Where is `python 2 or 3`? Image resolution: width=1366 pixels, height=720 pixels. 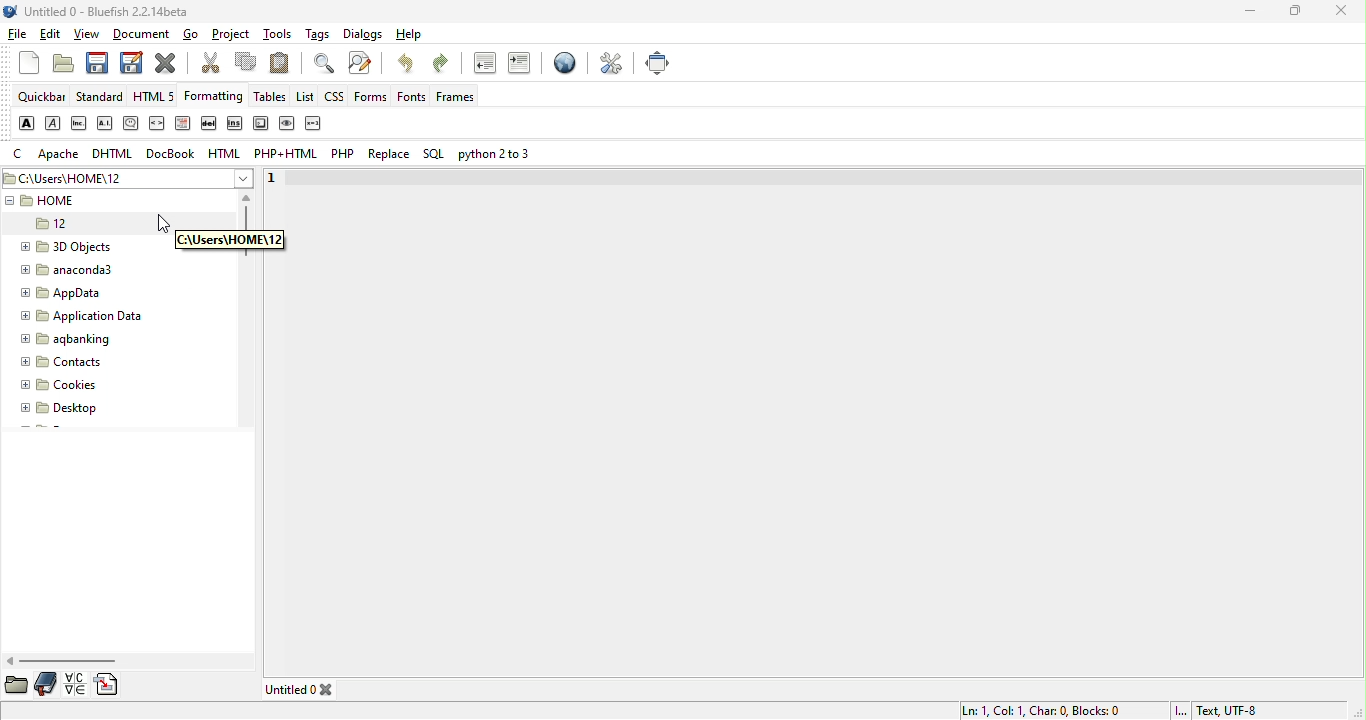
python 2 or 3 is located at coordinates (497, 155).